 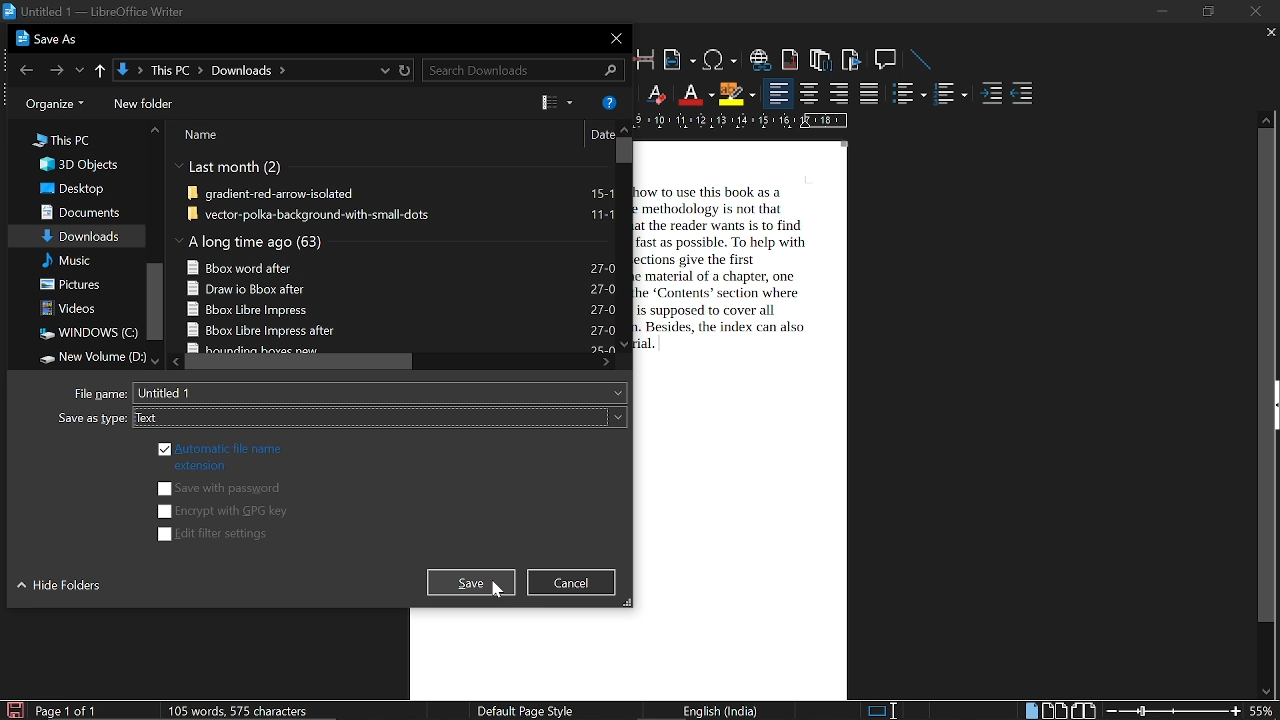 What do you see at coordinates (174, 362) in the screenshot?
I see `move left` at bounding box center [174, 362].